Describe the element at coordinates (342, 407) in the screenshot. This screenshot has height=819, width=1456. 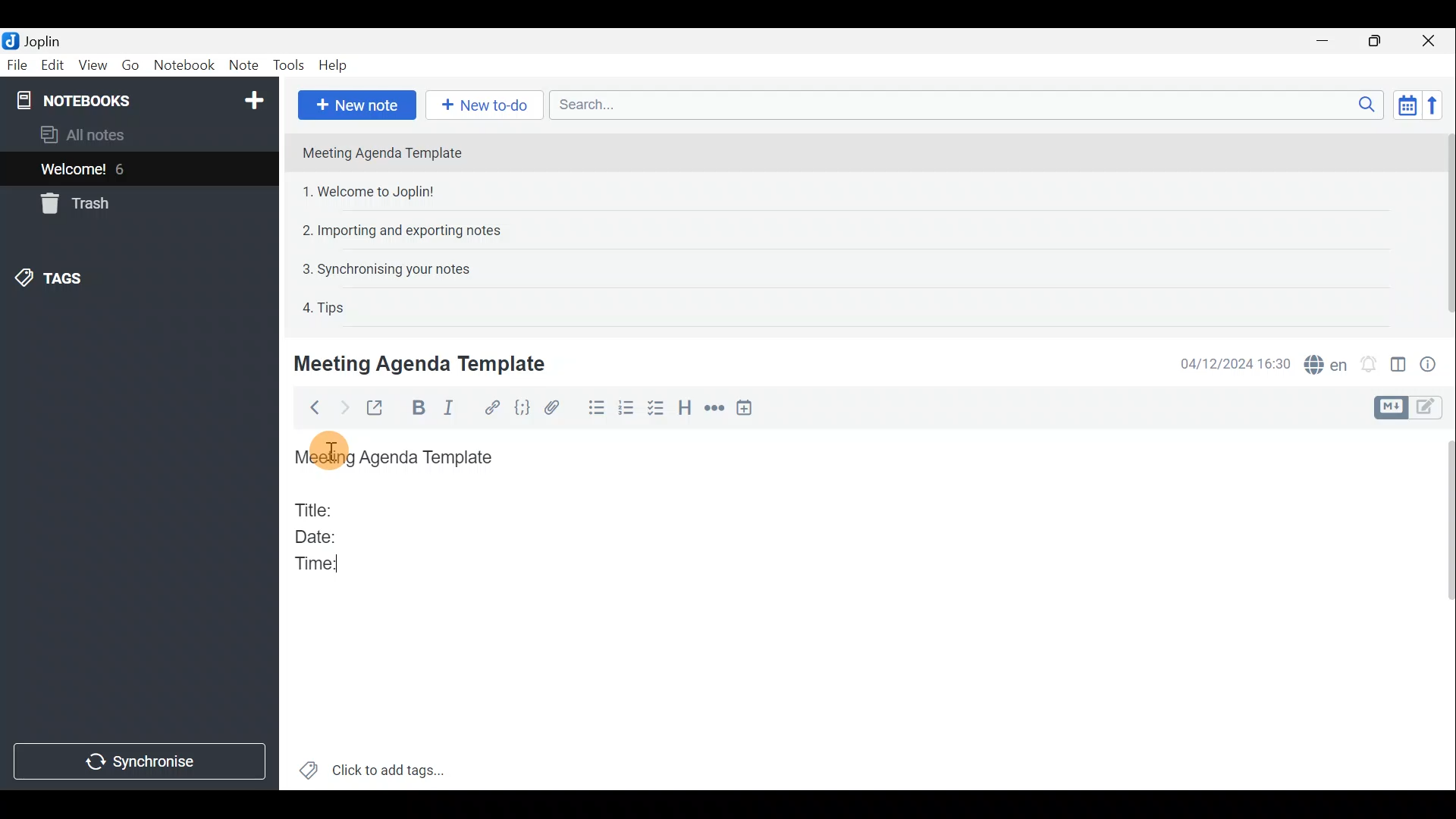
I see `Forward` at that location.